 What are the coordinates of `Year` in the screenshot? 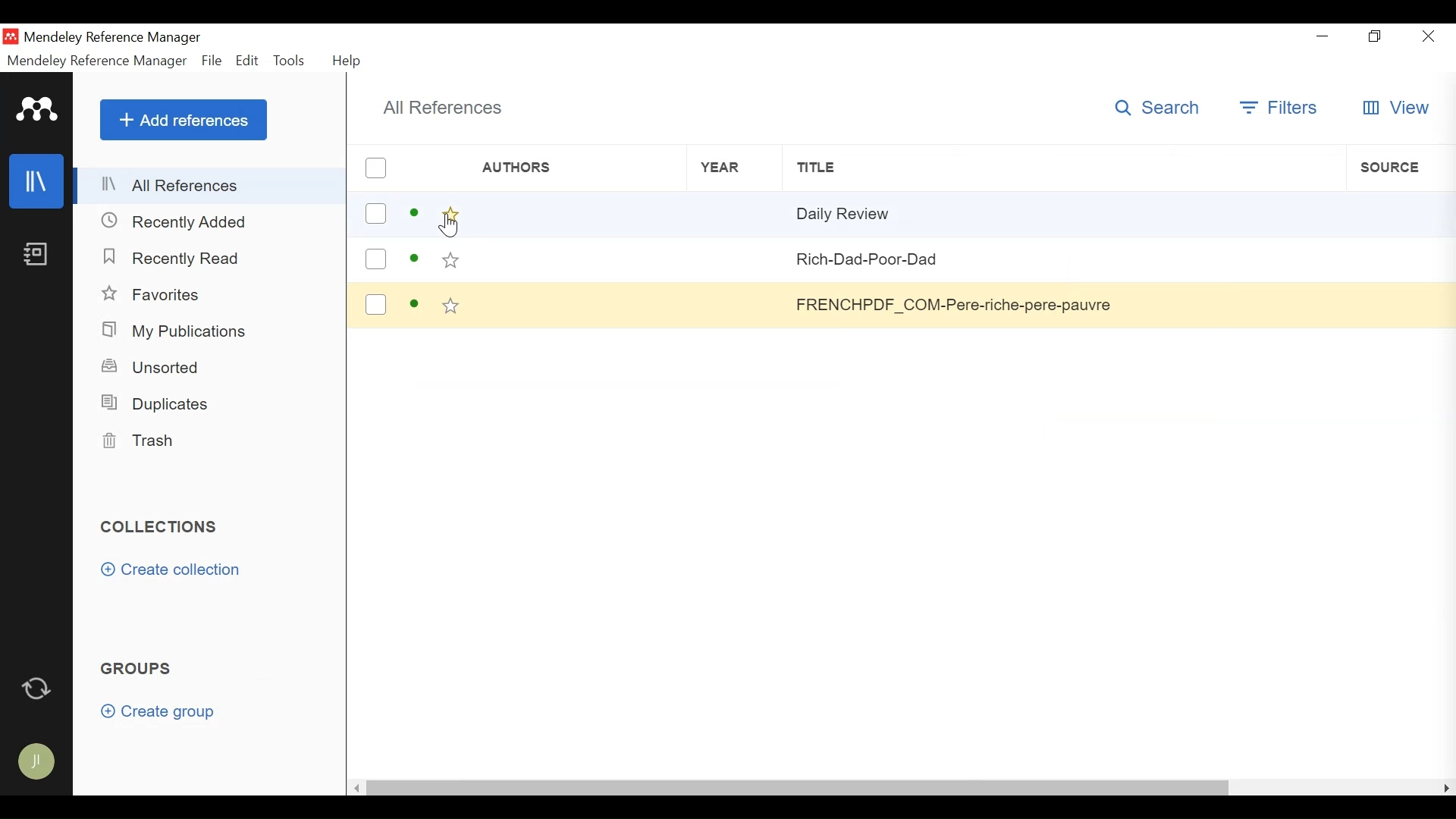 It's located at (723, 168).